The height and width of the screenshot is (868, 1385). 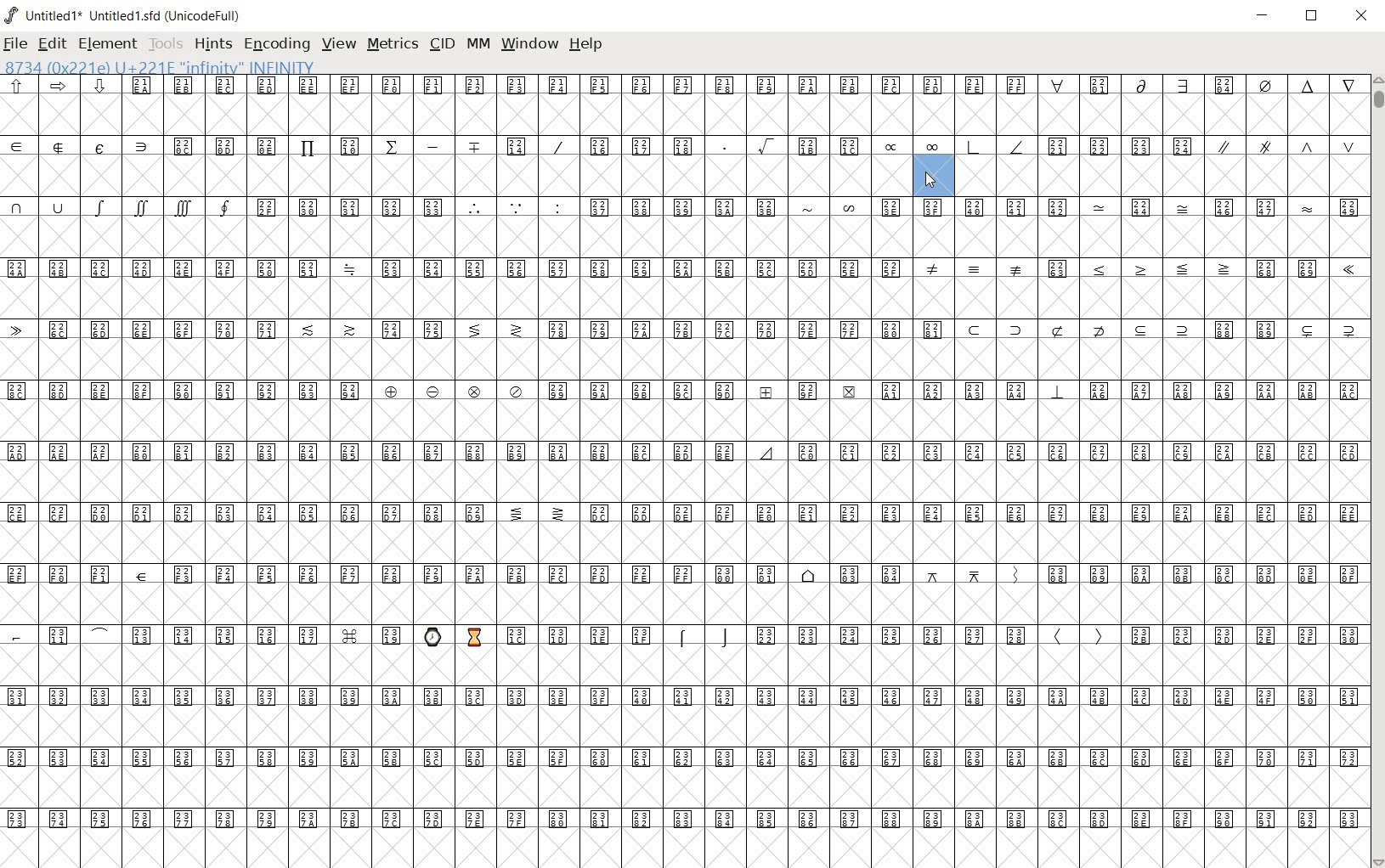 I want to click on empty glyph slots, so click(x=686, y=544).